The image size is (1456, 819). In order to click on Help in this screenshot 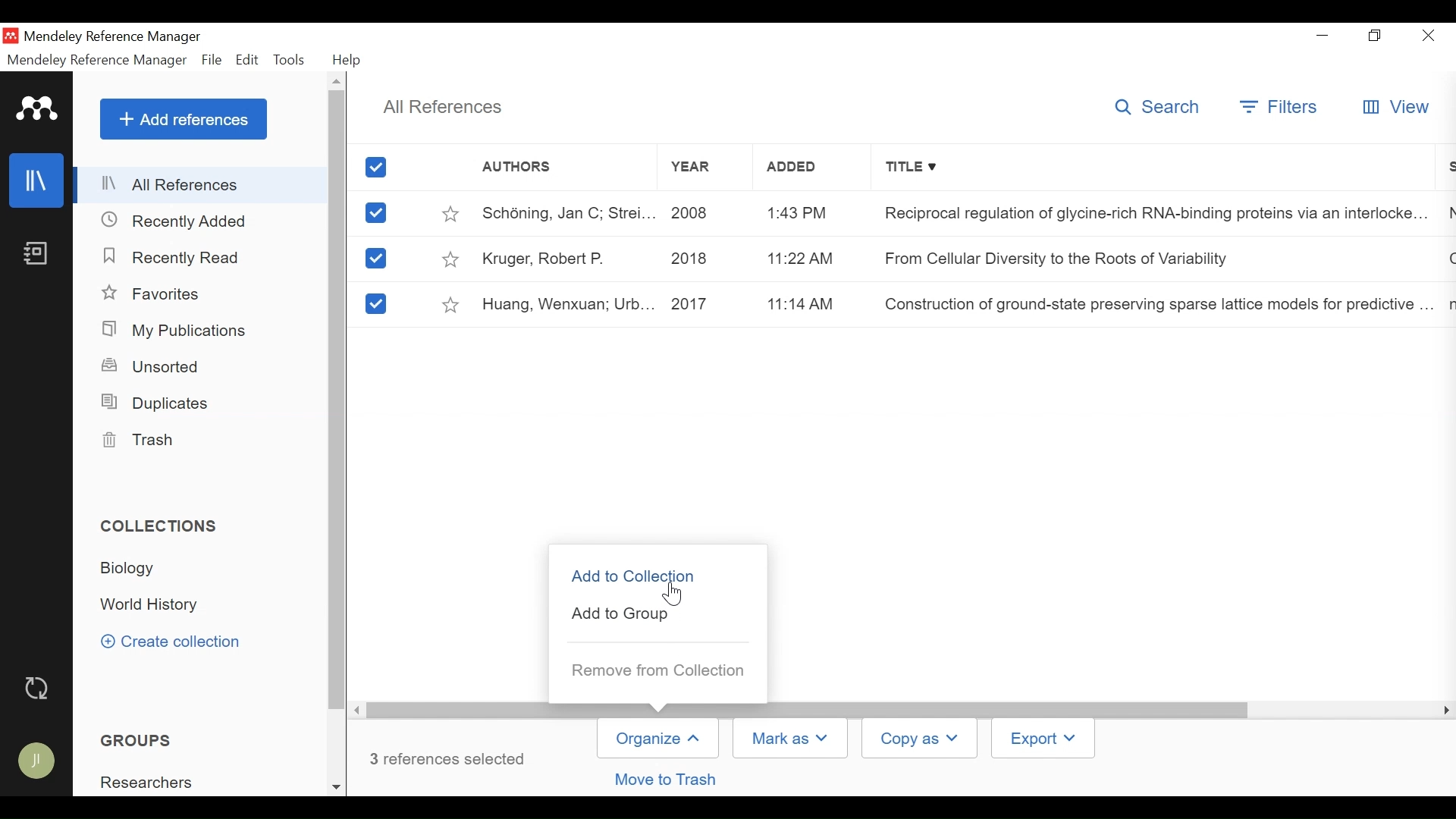, I will do `click(350, 60)`.